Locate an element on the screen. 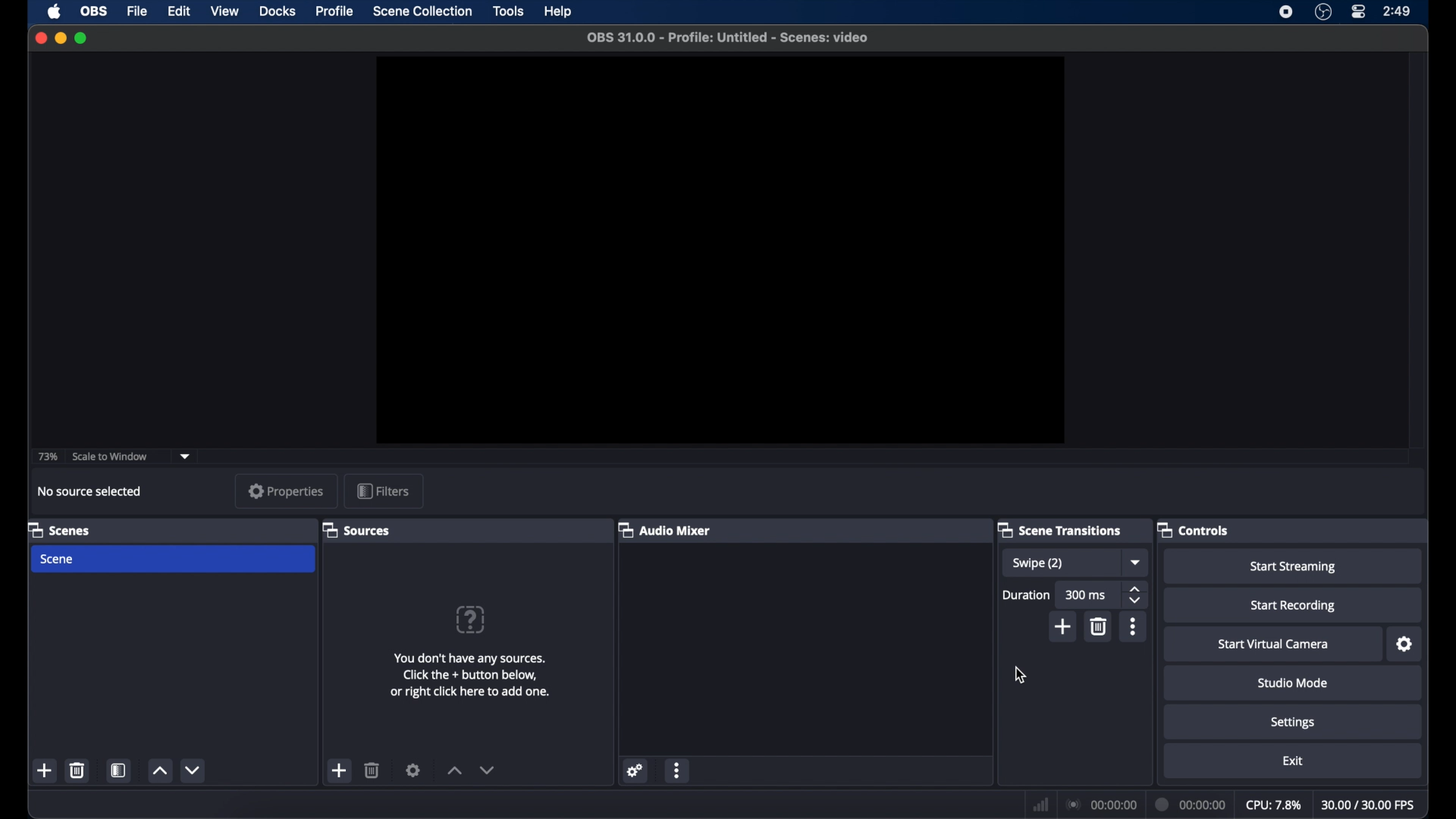 The width and height of the screenshot is (1456, 819). 73% is located at coordinates (47, 457).